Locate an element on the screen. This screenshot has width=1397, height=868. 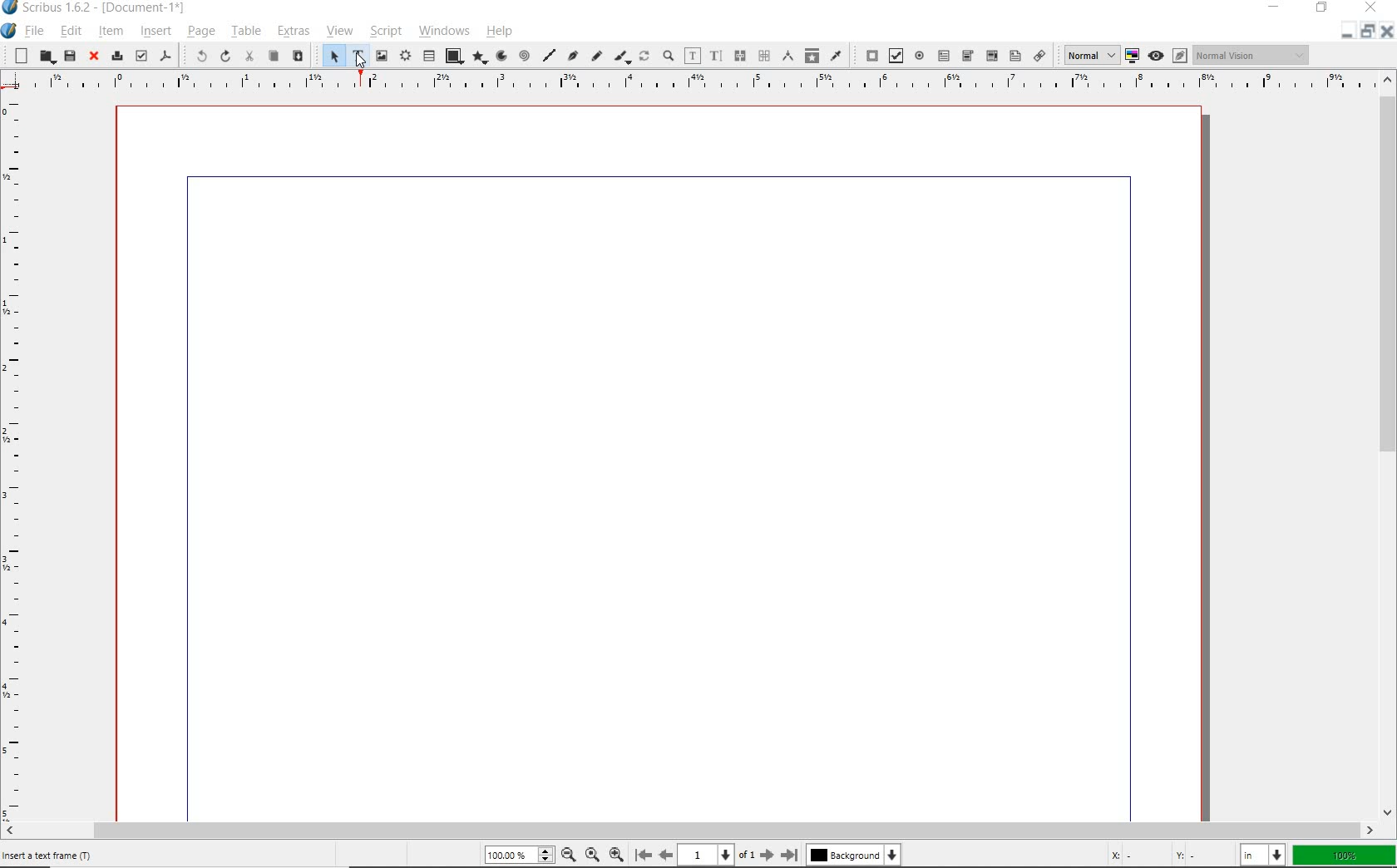
new is located at coordinates (21, 55).